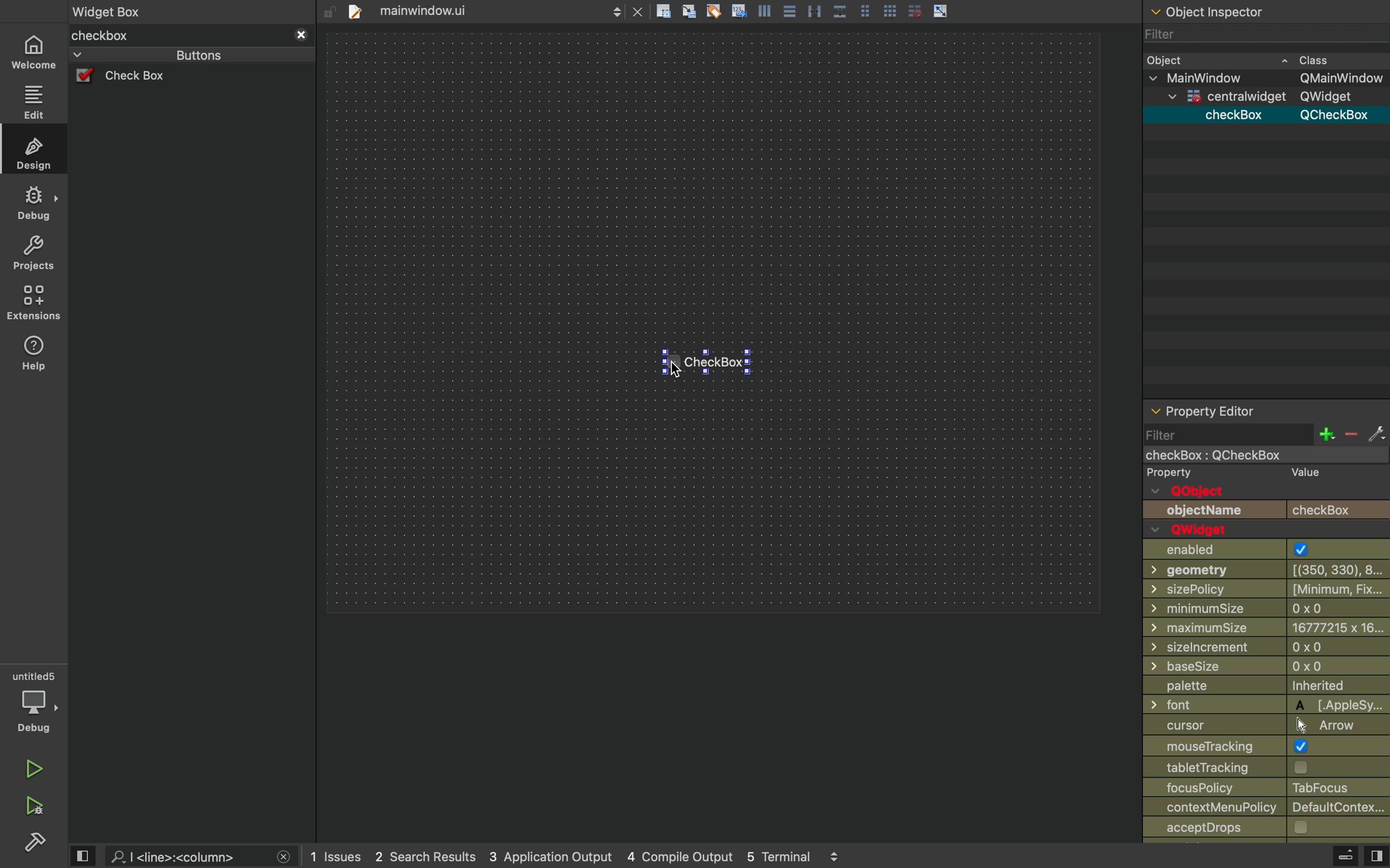 The height and width of the screenshot is (868, 1390). What do you see at coordinates (1252, 34) in the screenshot?
I see `filter` at bounding box center [1252, 34].